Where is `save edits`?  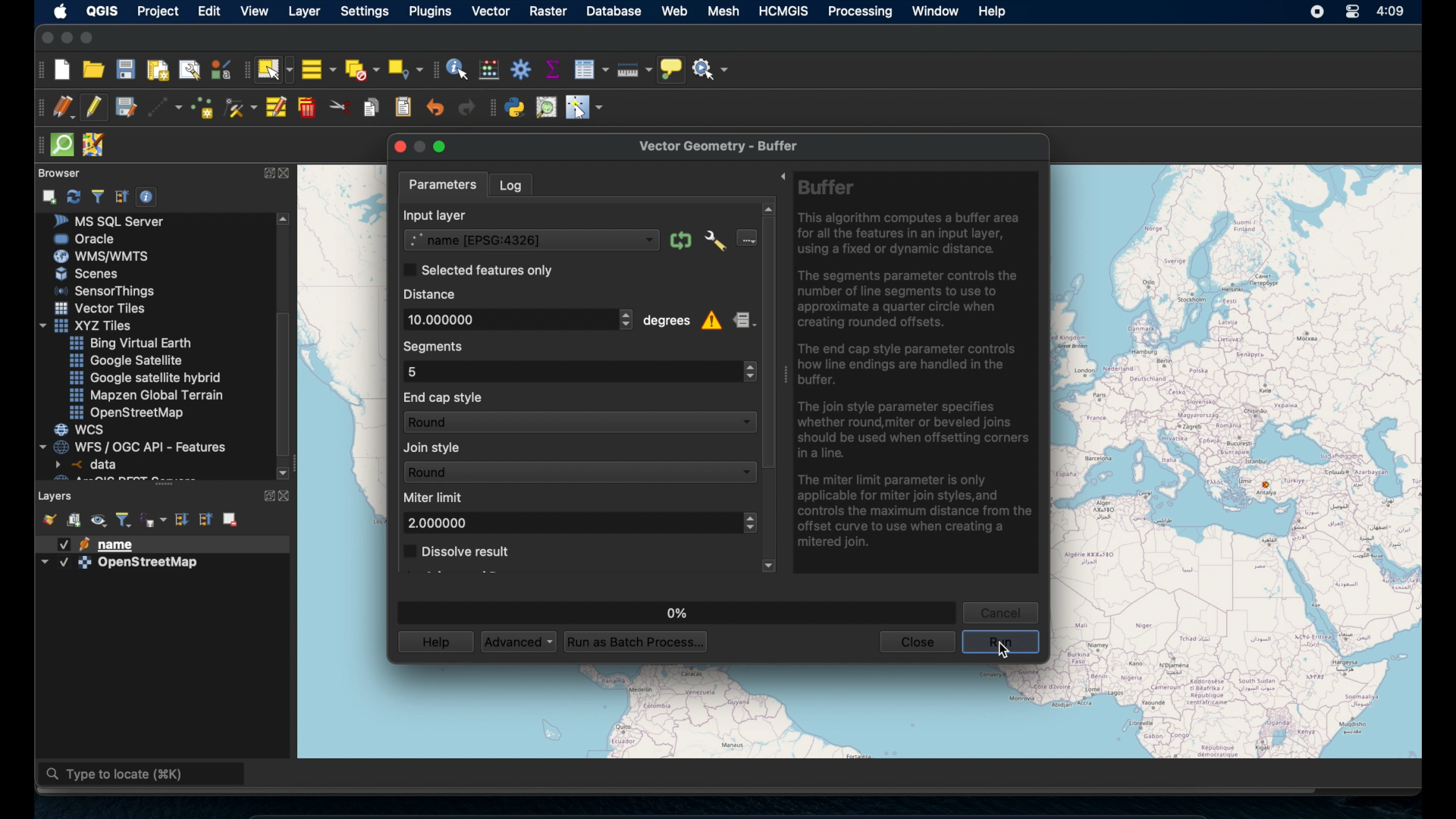
save edits is located at coordinates (127, 108).